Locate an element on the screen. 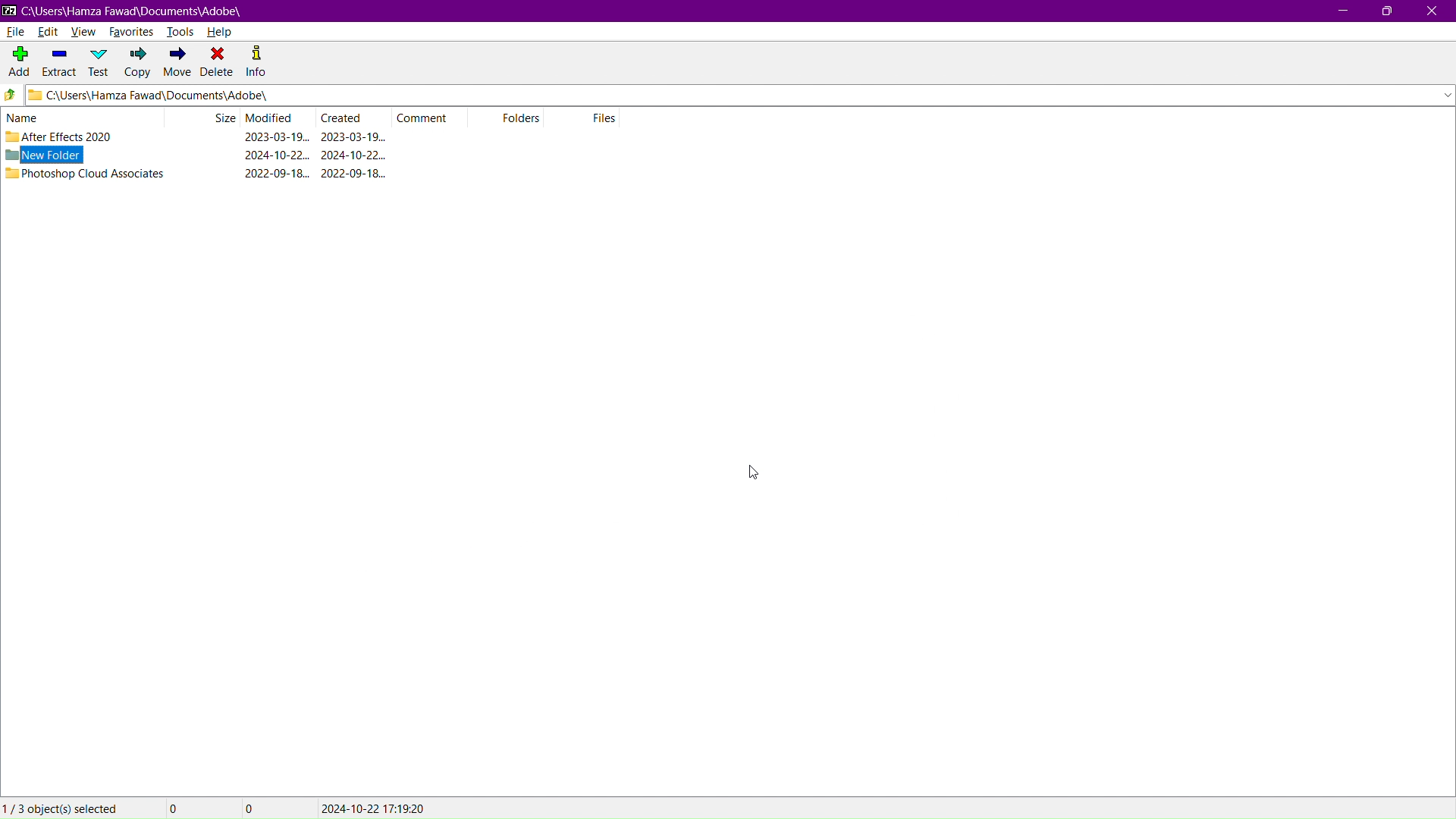 The image size is (1456, 819). Modified is located at coordinates (277, 118).